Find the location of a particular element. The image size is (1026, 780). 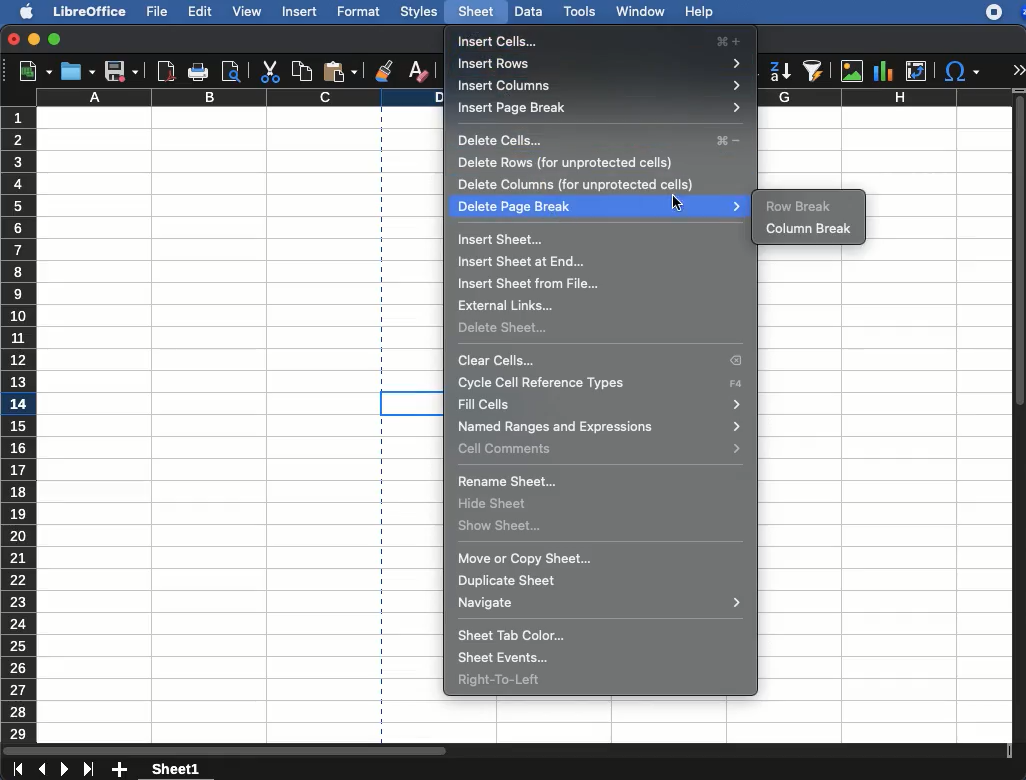

tools is located at coordinates (580, 13).